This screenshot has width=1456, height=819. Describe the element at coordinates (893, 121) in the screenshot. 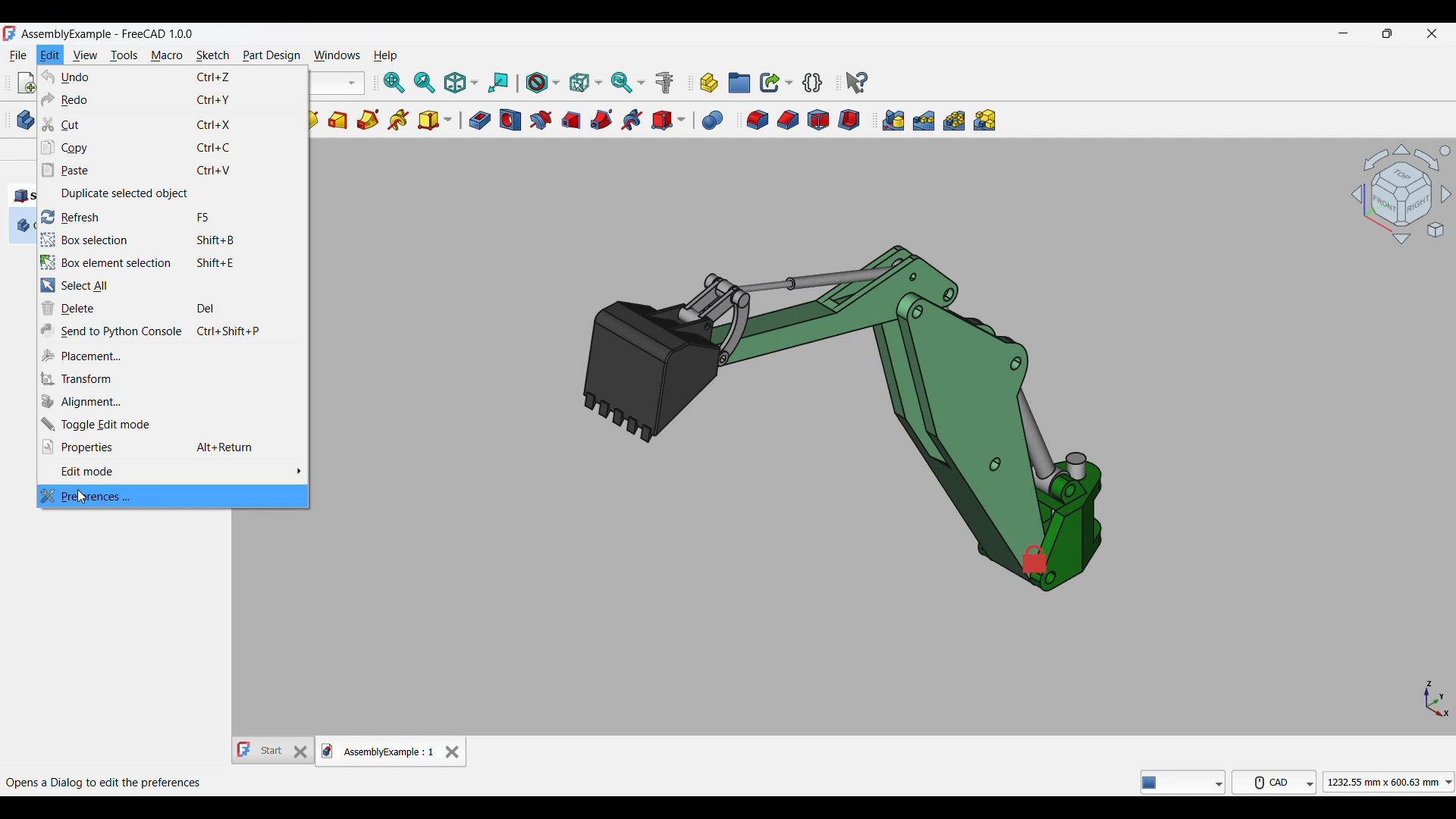

I see `Mirrored` at that location.